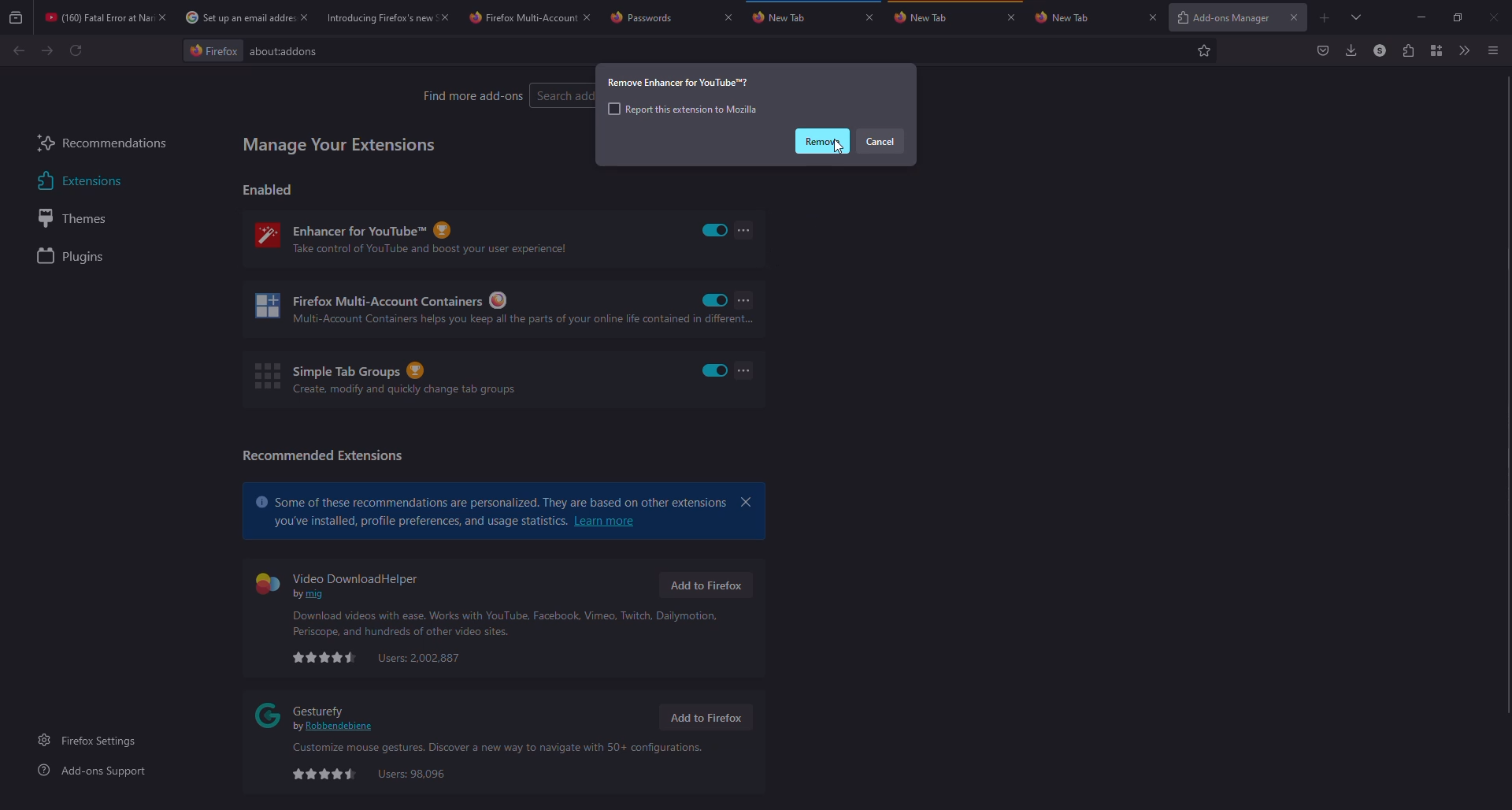 This screenshot has height=810, width=1512. Describe the element at coordinates (821, 141) in the screenshot. I see `remove` at that location.